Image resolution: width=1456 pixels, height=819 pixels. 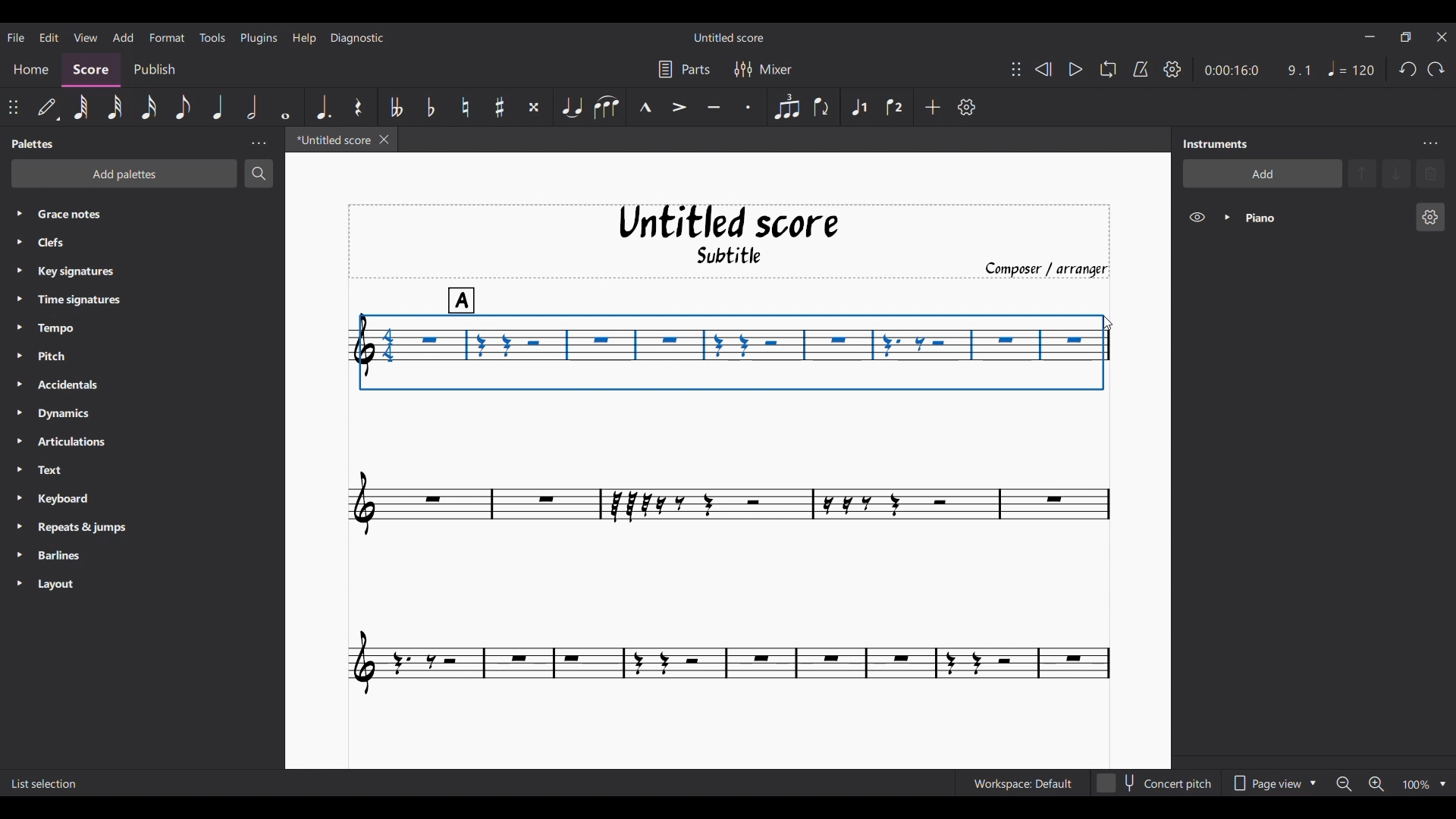 I want to click on Score section, current selection highlighted, so click(x=94, y=68).